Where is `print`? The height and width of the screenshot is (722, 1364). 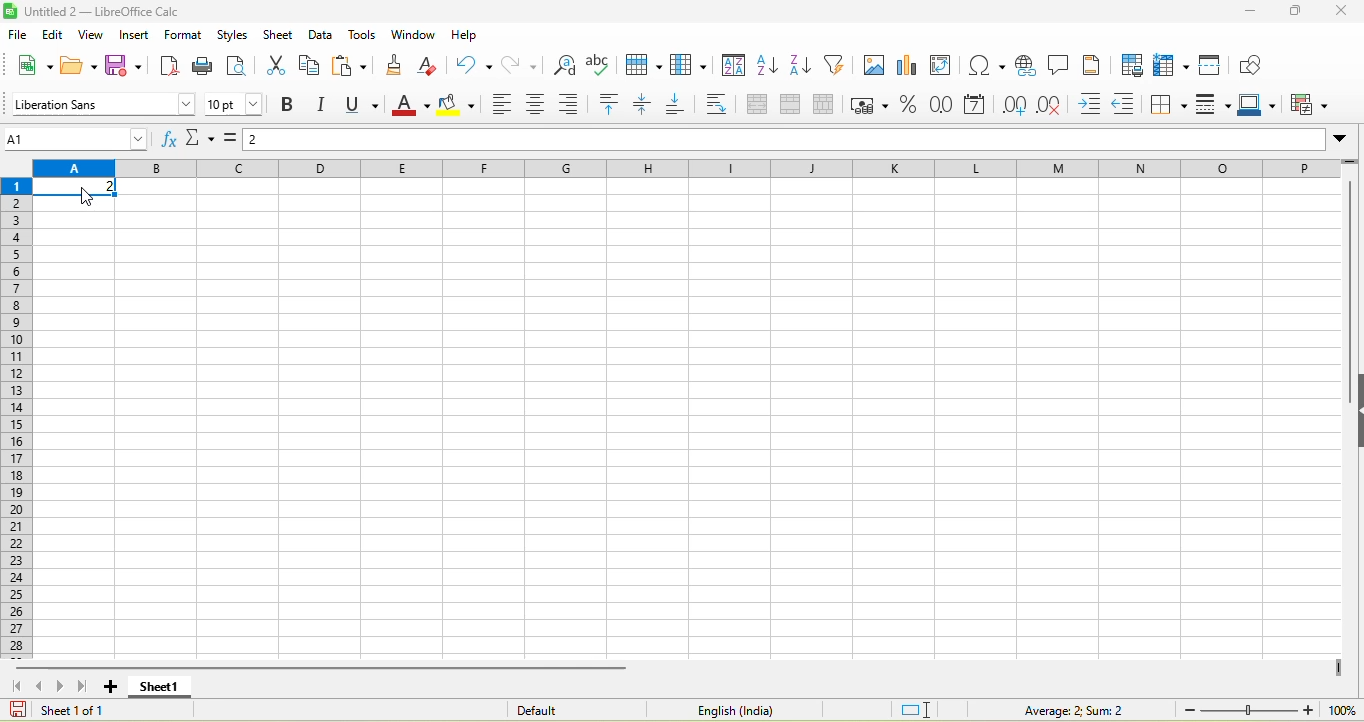
print is located at coordinates (209, 65).